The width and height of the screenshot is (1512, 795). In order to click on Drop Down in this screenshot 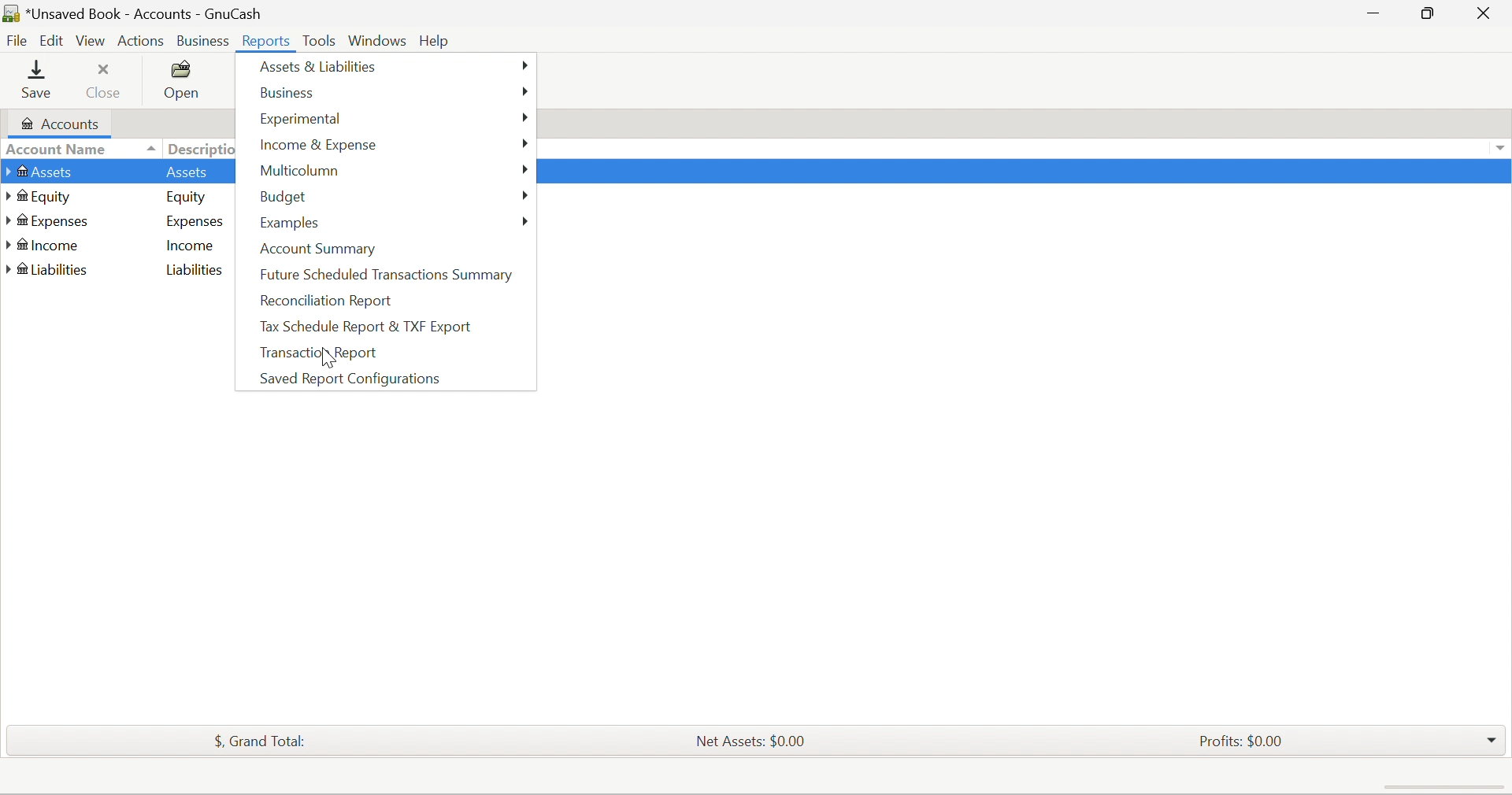, I will do `click(1491, 740)`.